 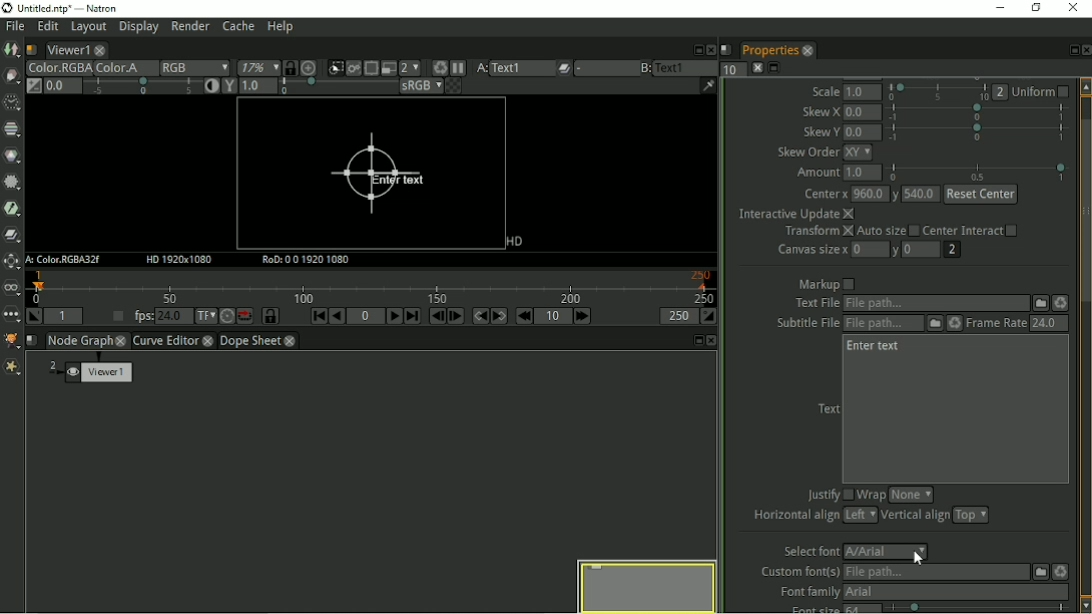 What do you see at coordinates (1038, 571) in the screenshot?
I see `Custom` at bounding box center [1038, 571].